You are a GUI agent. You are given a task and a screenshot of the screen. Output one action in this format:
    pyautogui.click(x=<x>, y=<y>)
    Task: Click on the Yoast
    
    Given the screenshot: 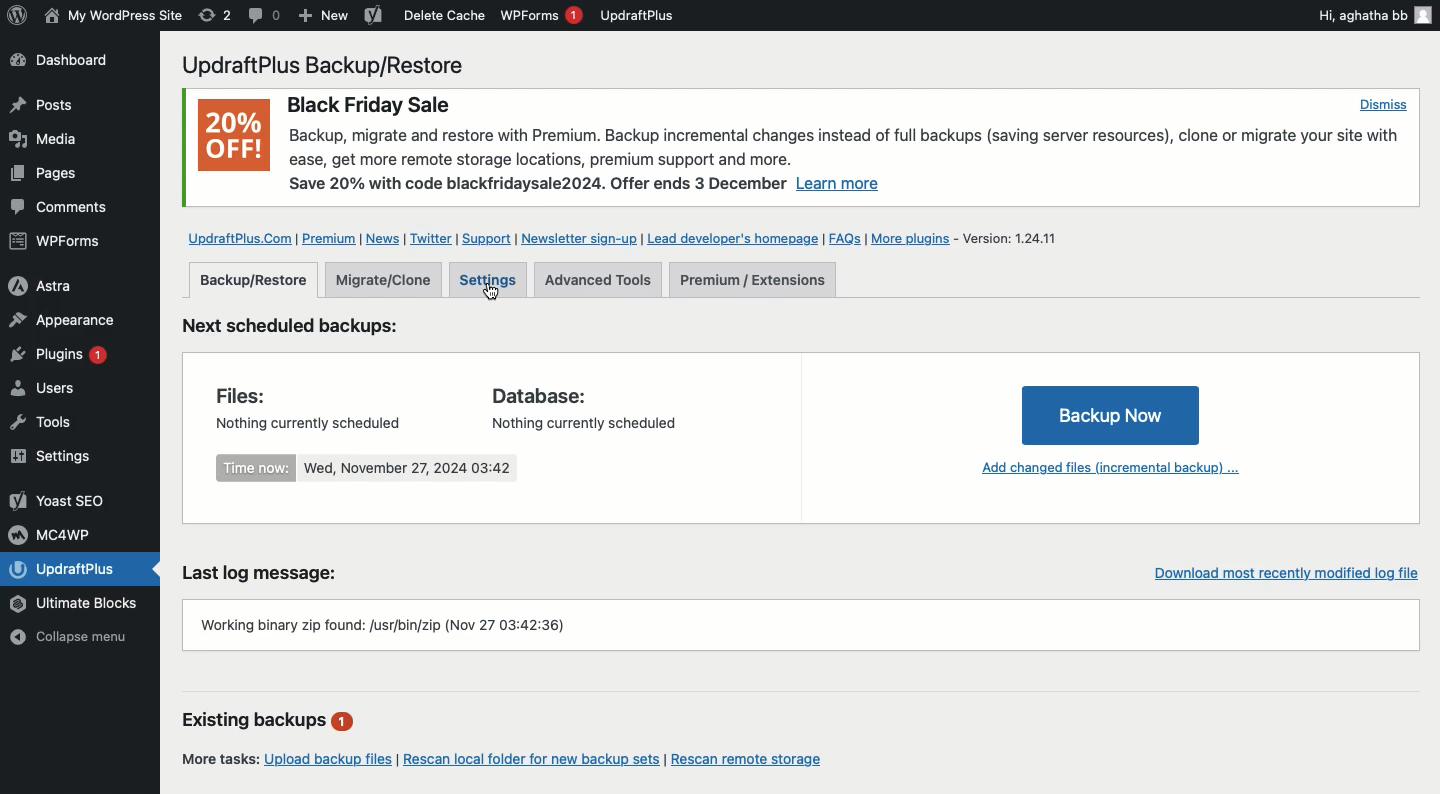 What is the action you would take?
    pyautogui.click(x=372, y=17)
    